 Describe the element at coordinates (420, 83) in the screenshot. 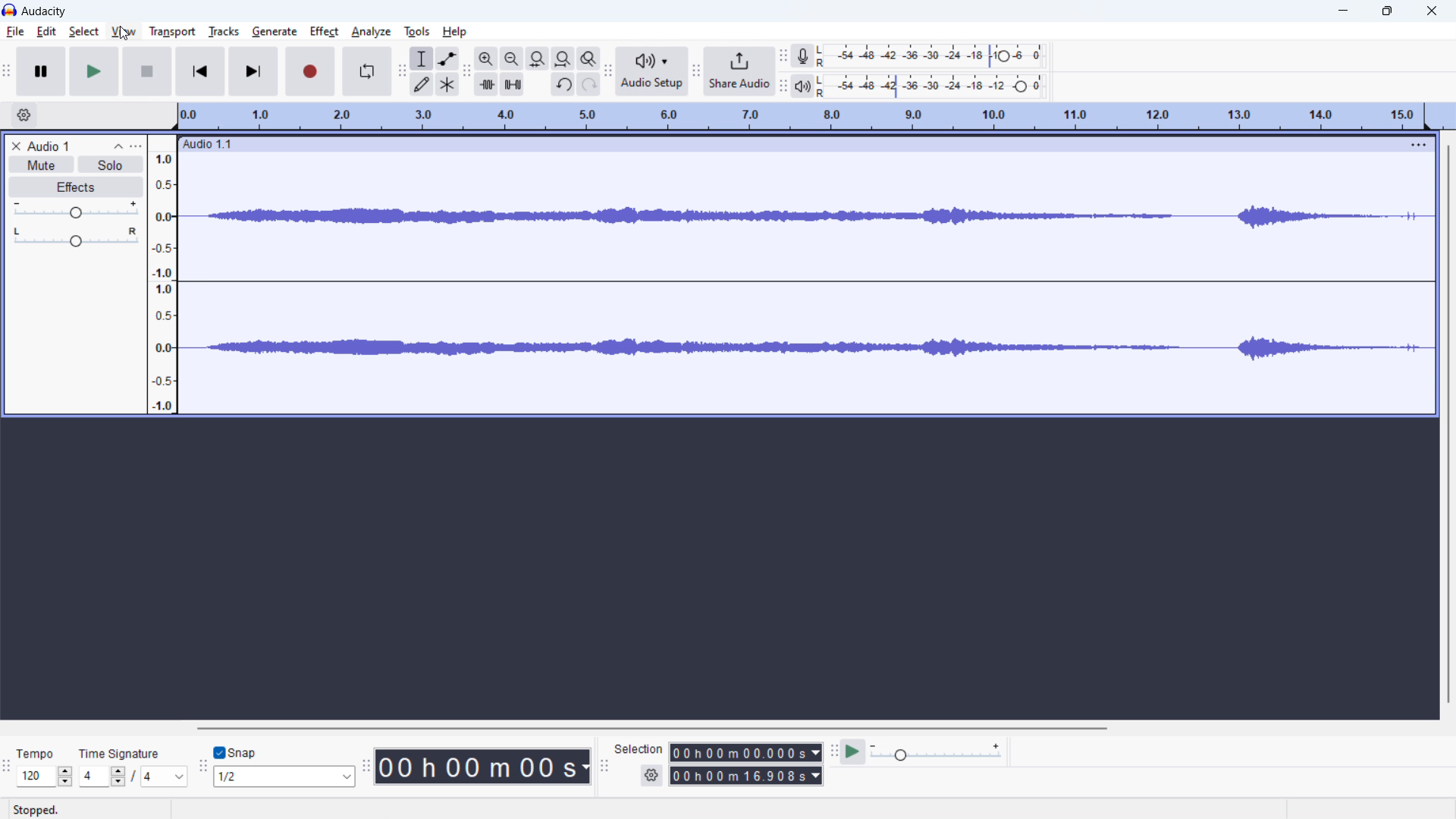

I see `draw tool` at that location.